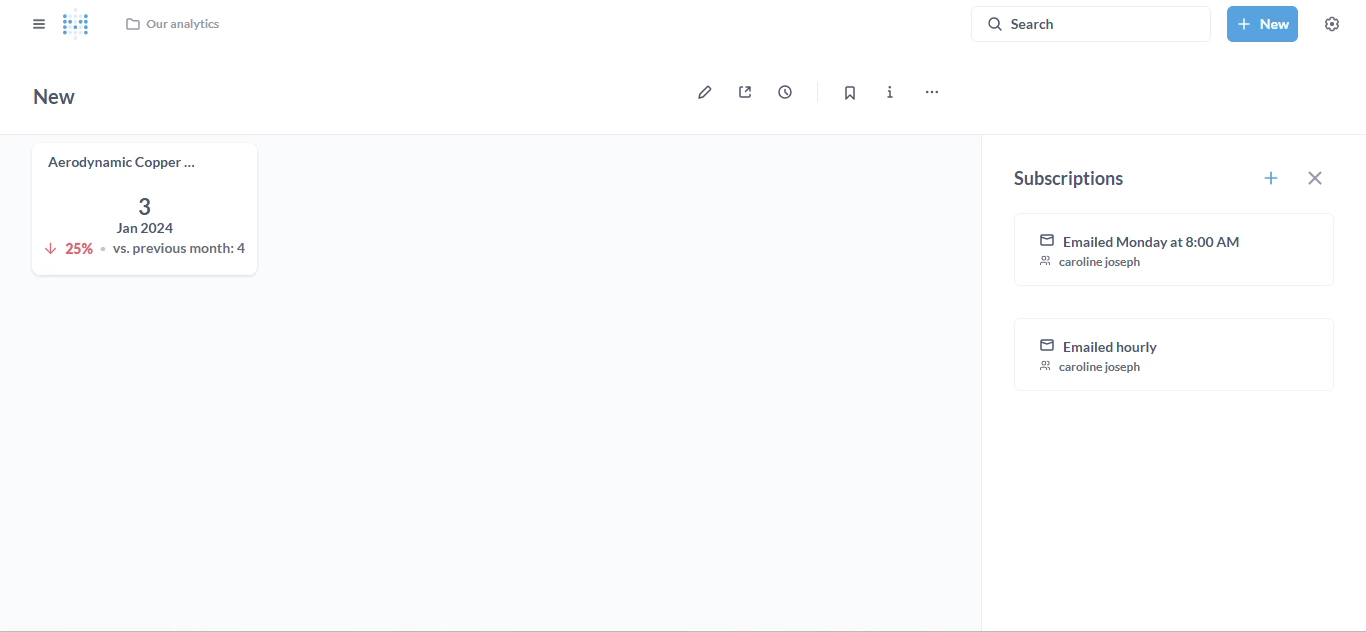  What do you see at coordinates (891, 92) in the screenshot?
I see `more info` at bounding box center [891, 92].